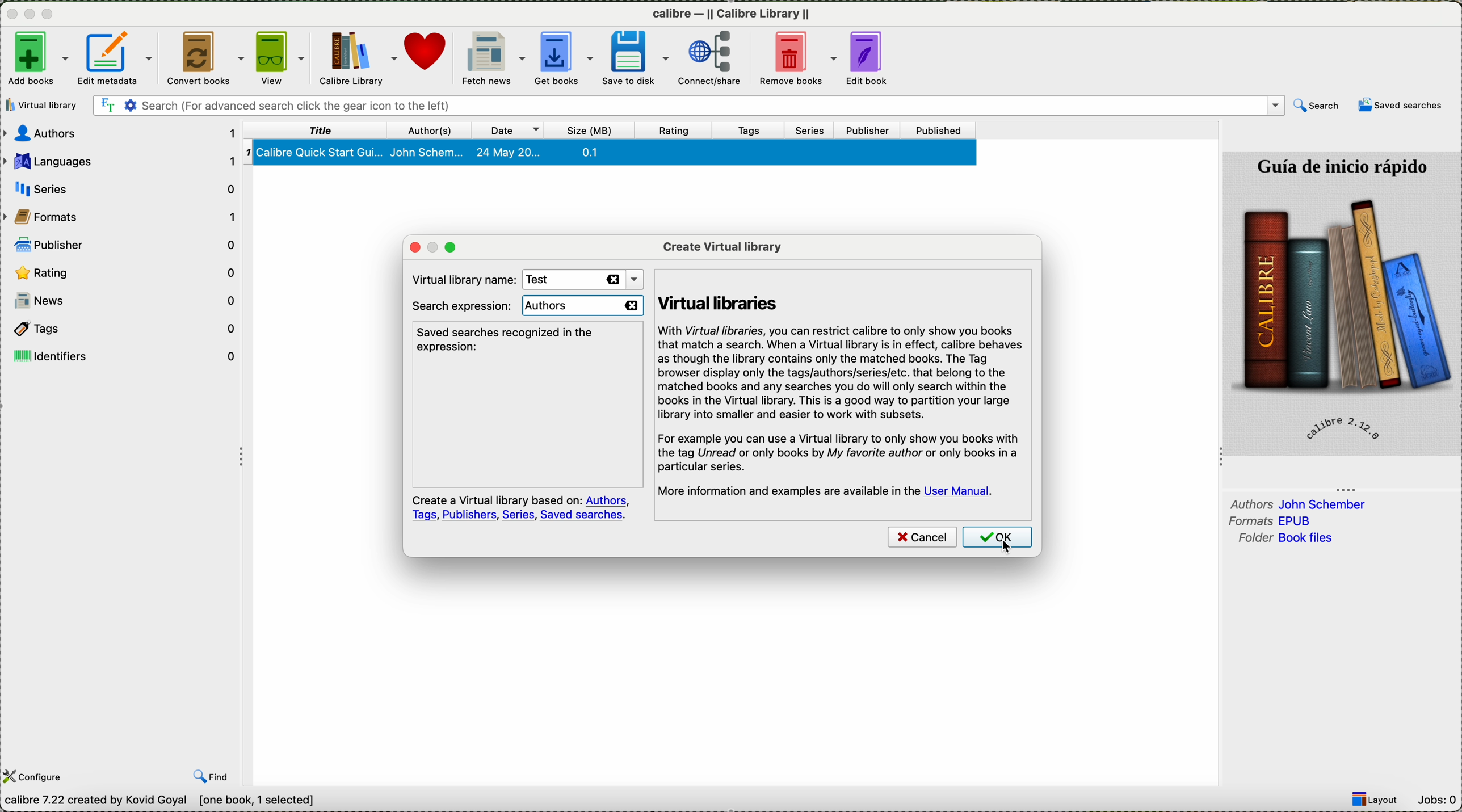 Image resolution: width=1462 pixels, height=812 pixels. What do you see at coordinates (428, 58) in the screenshot?
I see `donate` at bounding box center [428, 58].